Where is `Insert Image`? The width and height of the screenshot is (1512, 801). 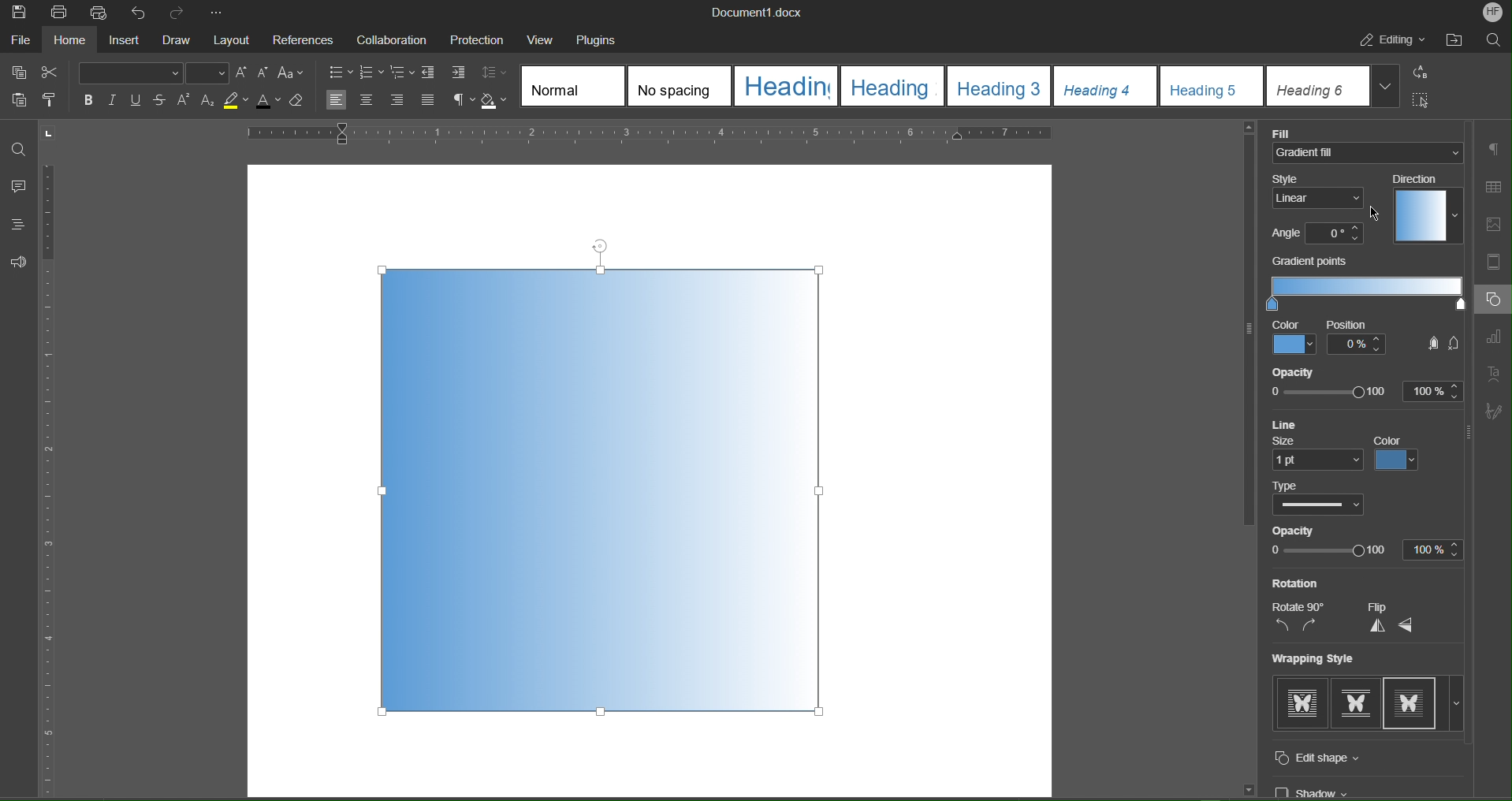
Insert Image is located at coordinates (1498, 225).